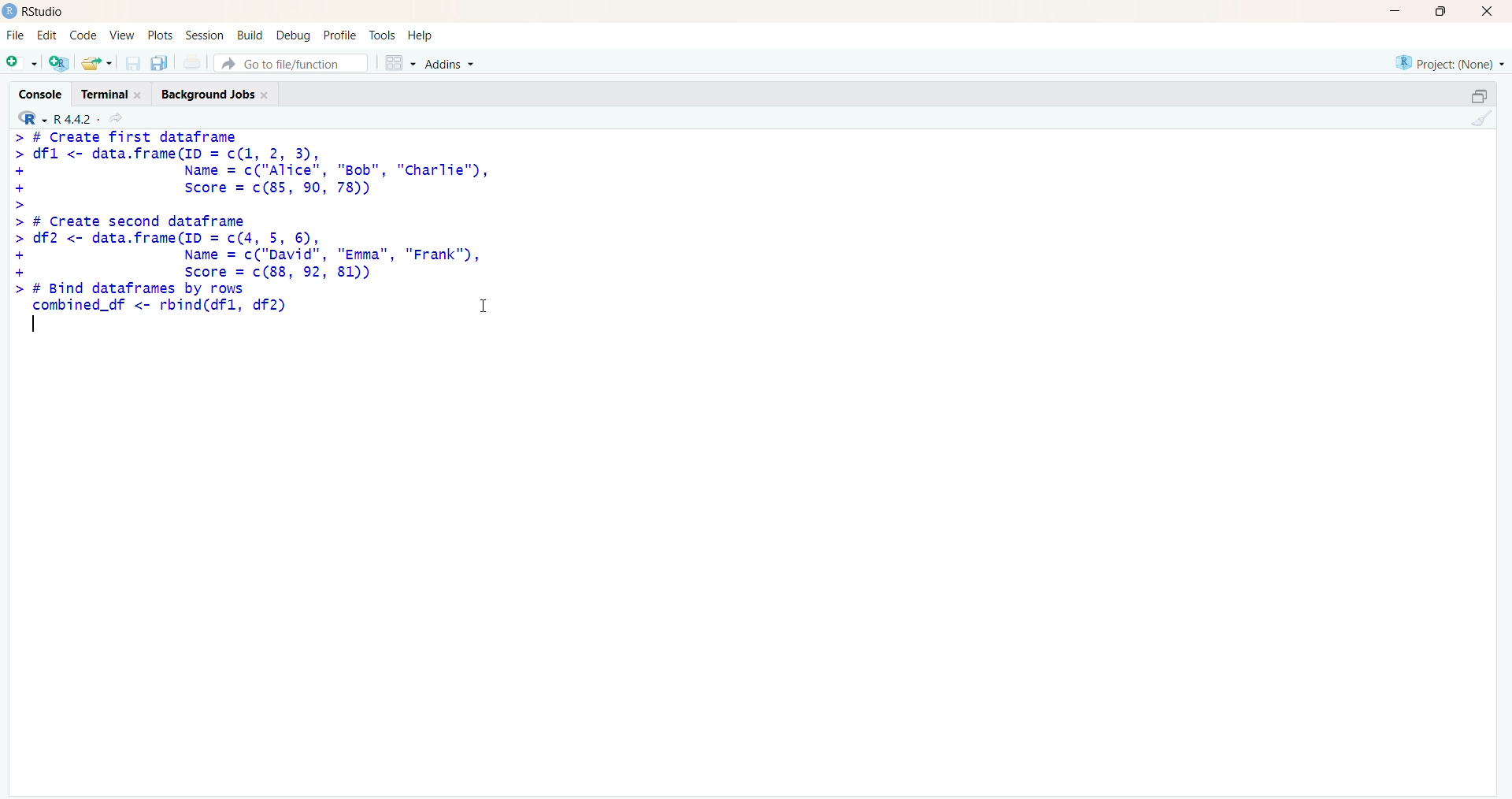 This screenshot has width=1512, height=799. I want to click on clear console, so click(1477, 118).